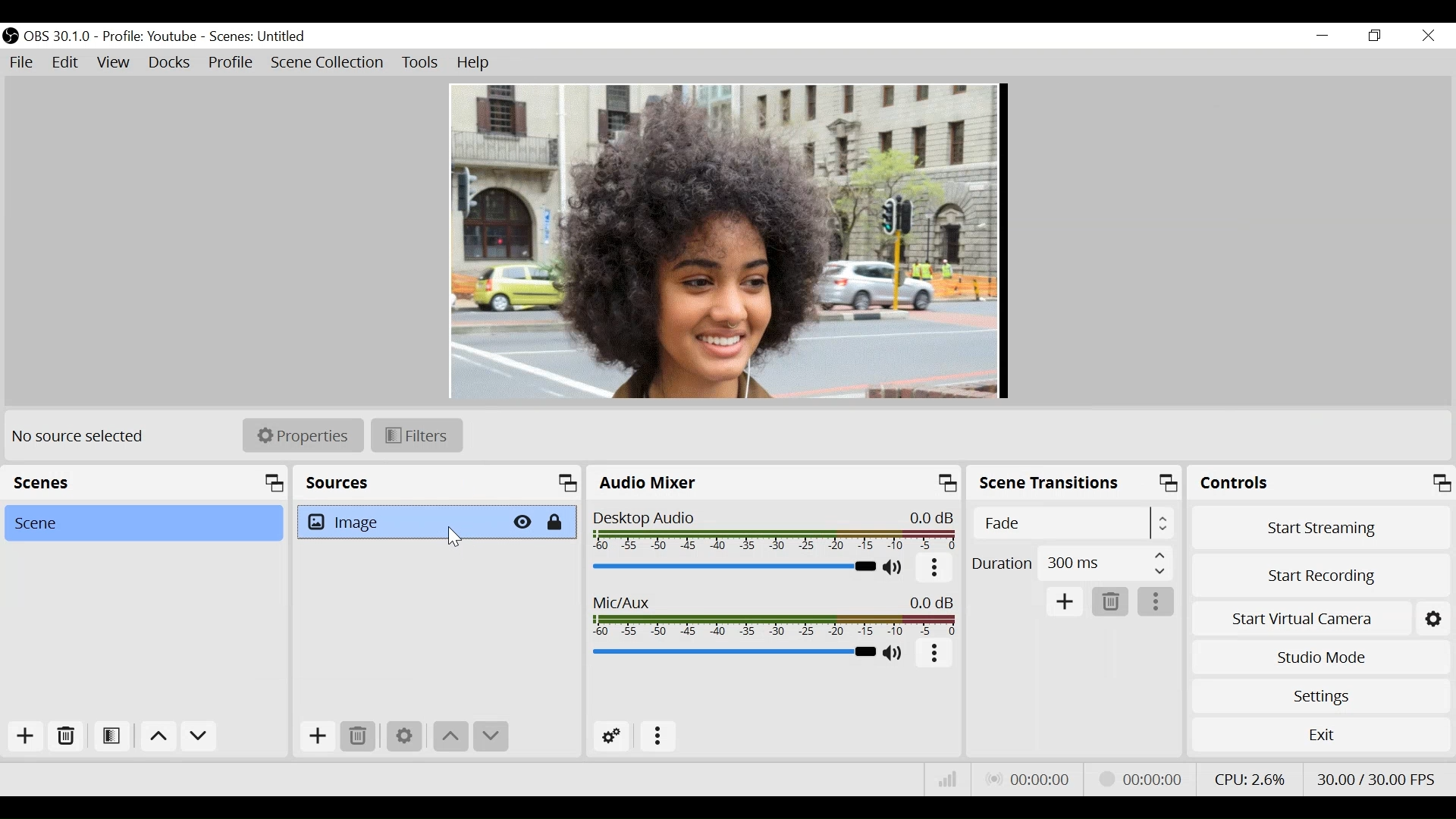  Describe the element at coordinates (559, 484) in the screenshot. I see `maximize` at that location.